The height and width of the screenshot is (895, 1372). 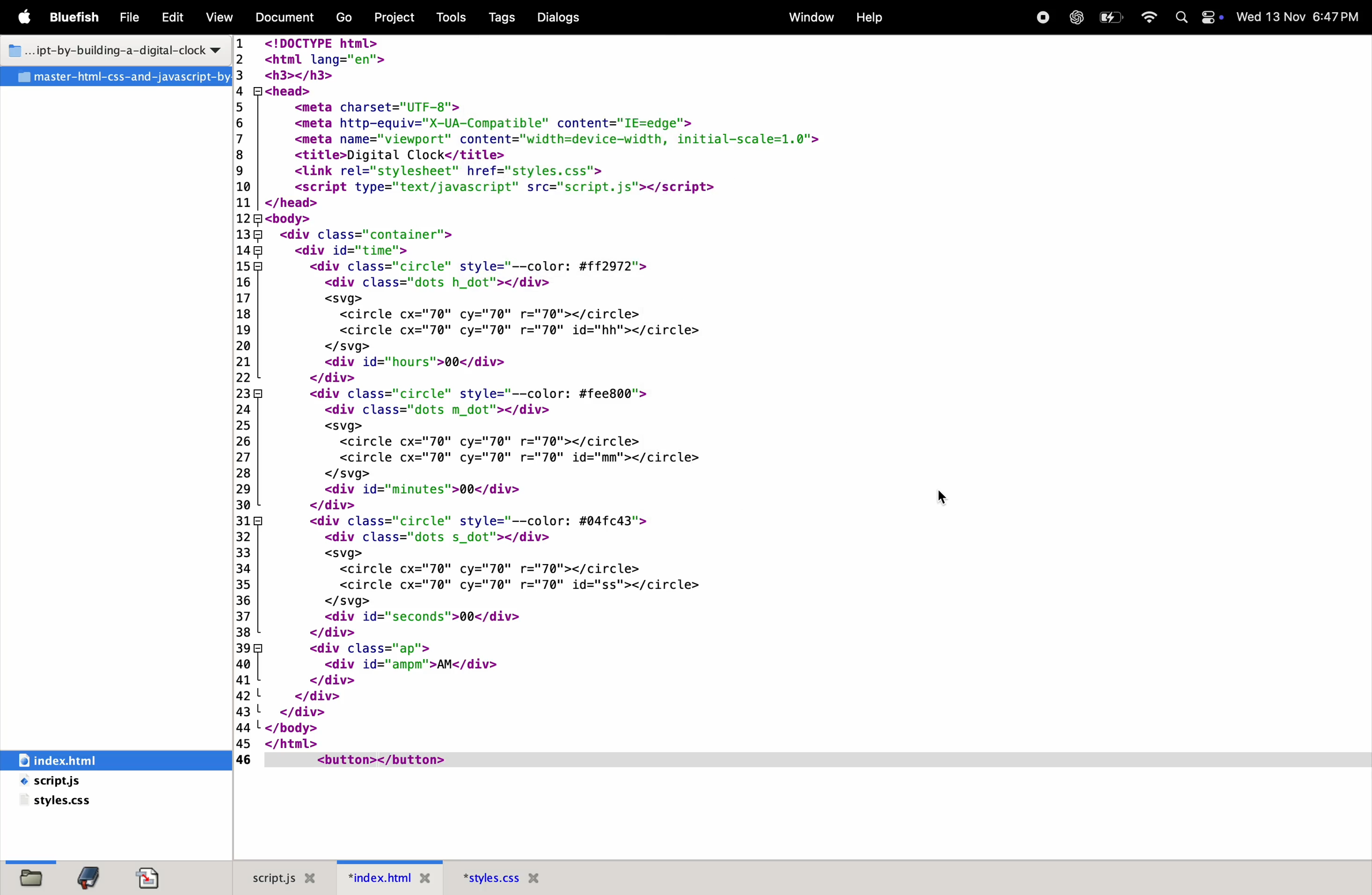 What do you see at coordinates (497, 19) in the screenshot?
I see `tags` at bounding box center [497, 19].